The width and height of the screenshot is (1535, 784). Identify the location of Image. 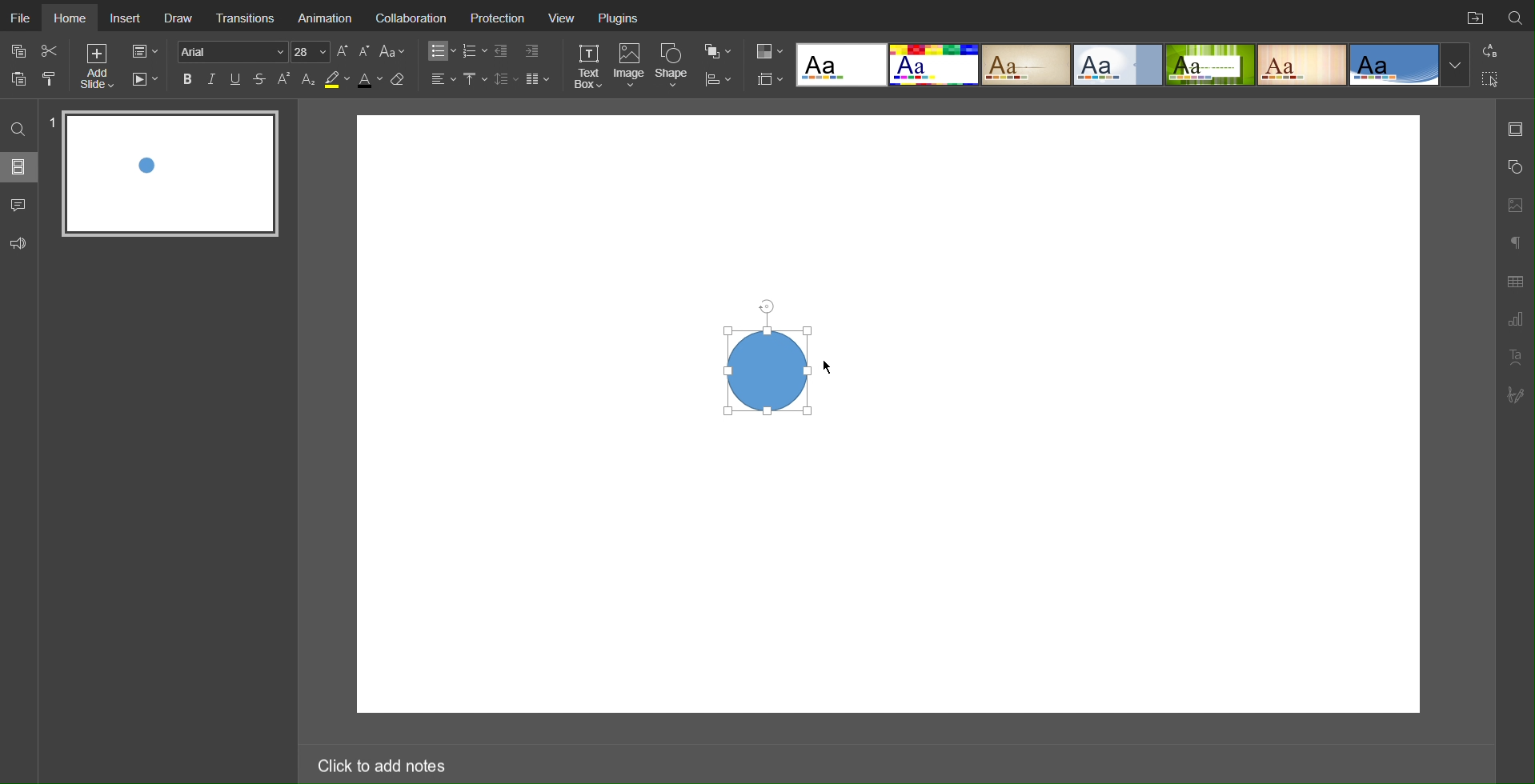
(631, 66).